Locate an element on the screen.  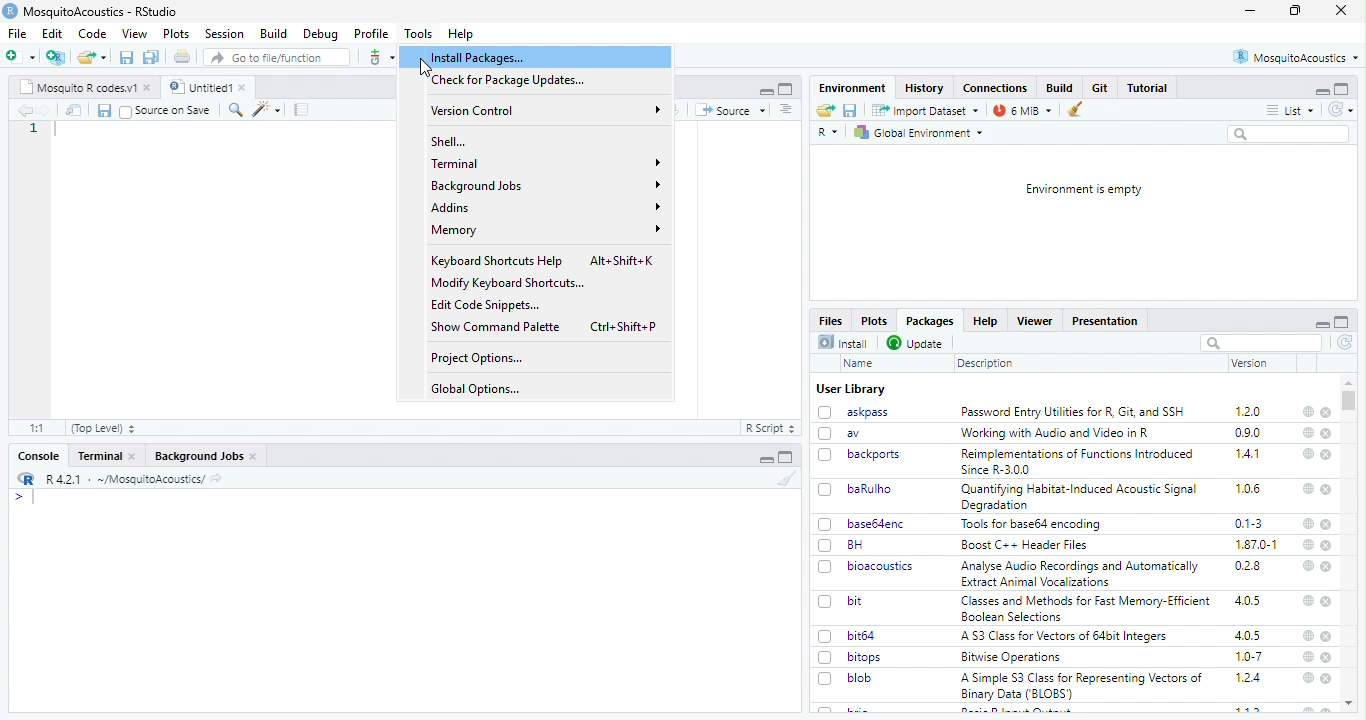
web is located at coordinates (1309, 412).